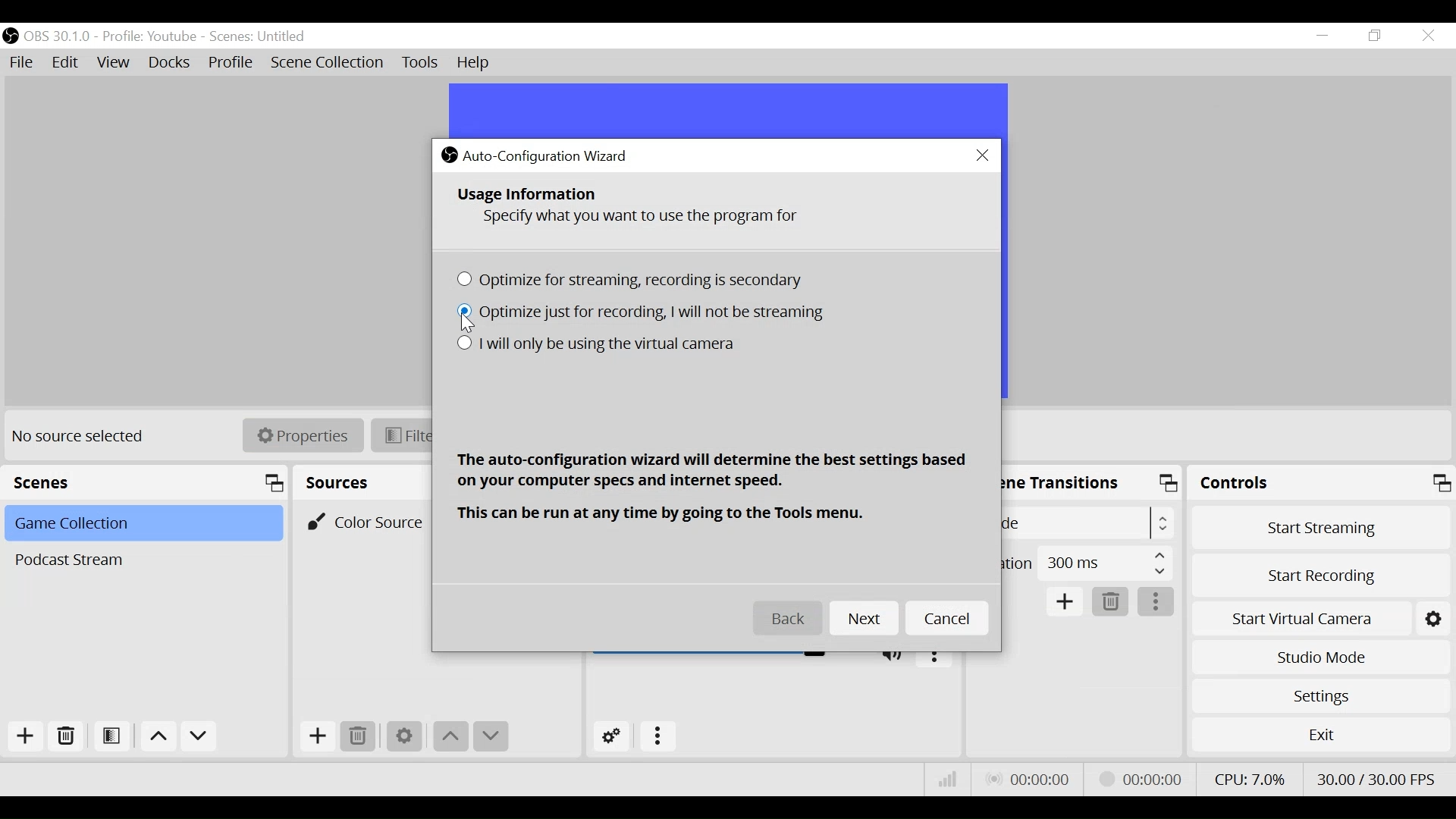 The height and width of the screenshot is (819, 1456). What do you see at coordinates (171, 62) in the screenshot?
I see `Docks` at bounding box center [171, 62].